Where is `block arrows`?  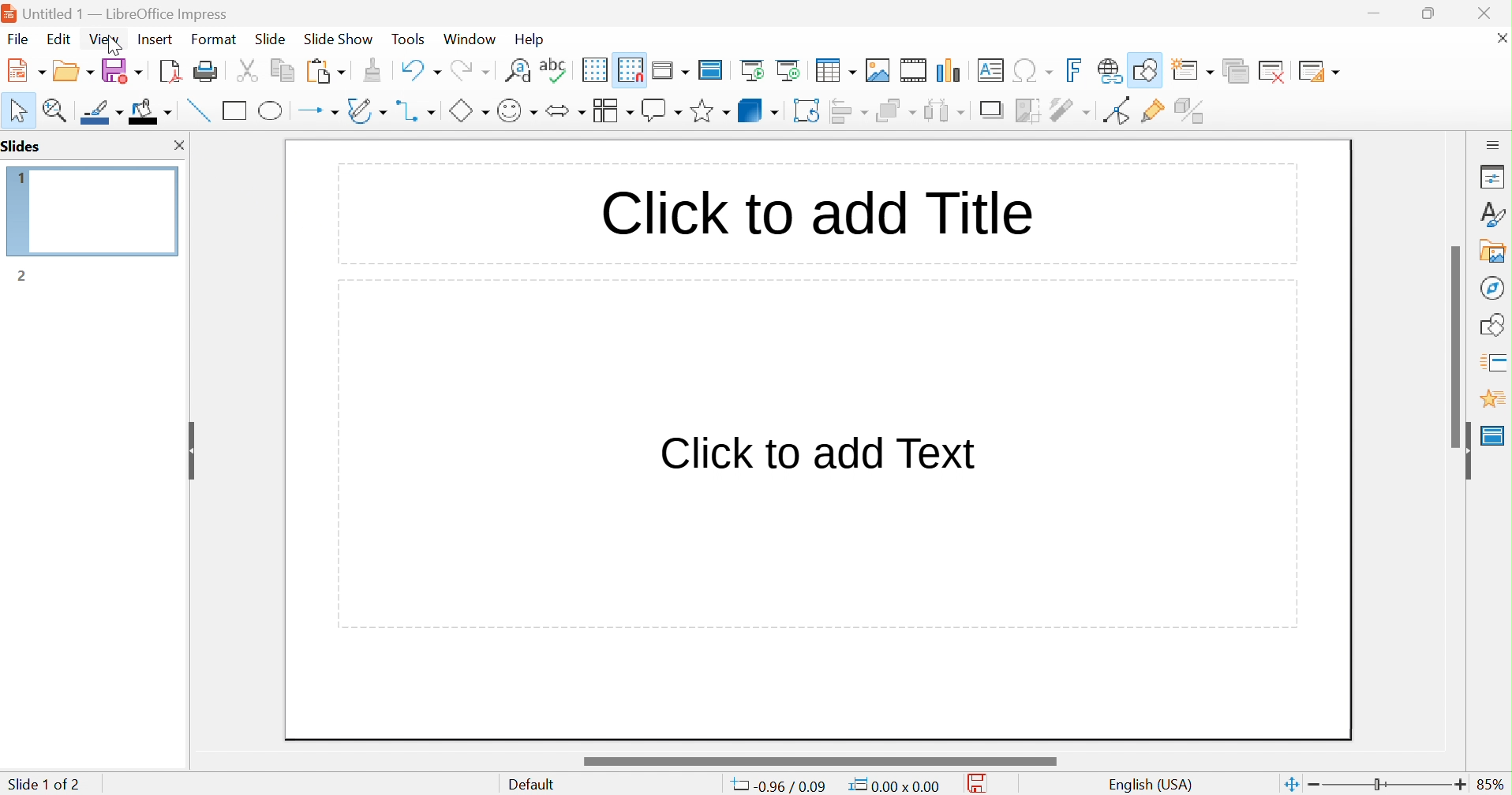 block arrows is located at coordinates (565, 110).